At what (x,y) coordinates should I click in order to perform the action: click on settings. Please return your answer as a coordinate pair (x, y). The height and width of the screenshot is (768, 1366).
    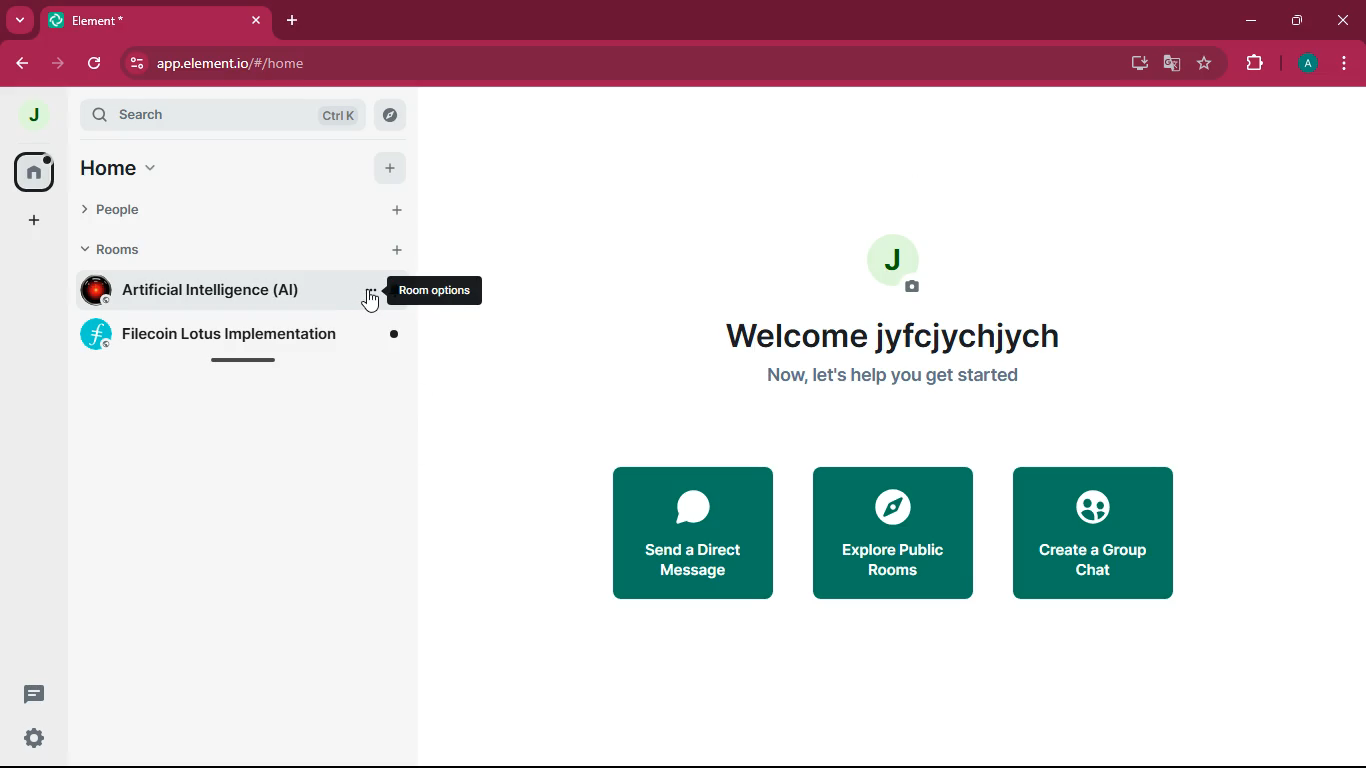
    Looking at the image, I should click on (32, 740).